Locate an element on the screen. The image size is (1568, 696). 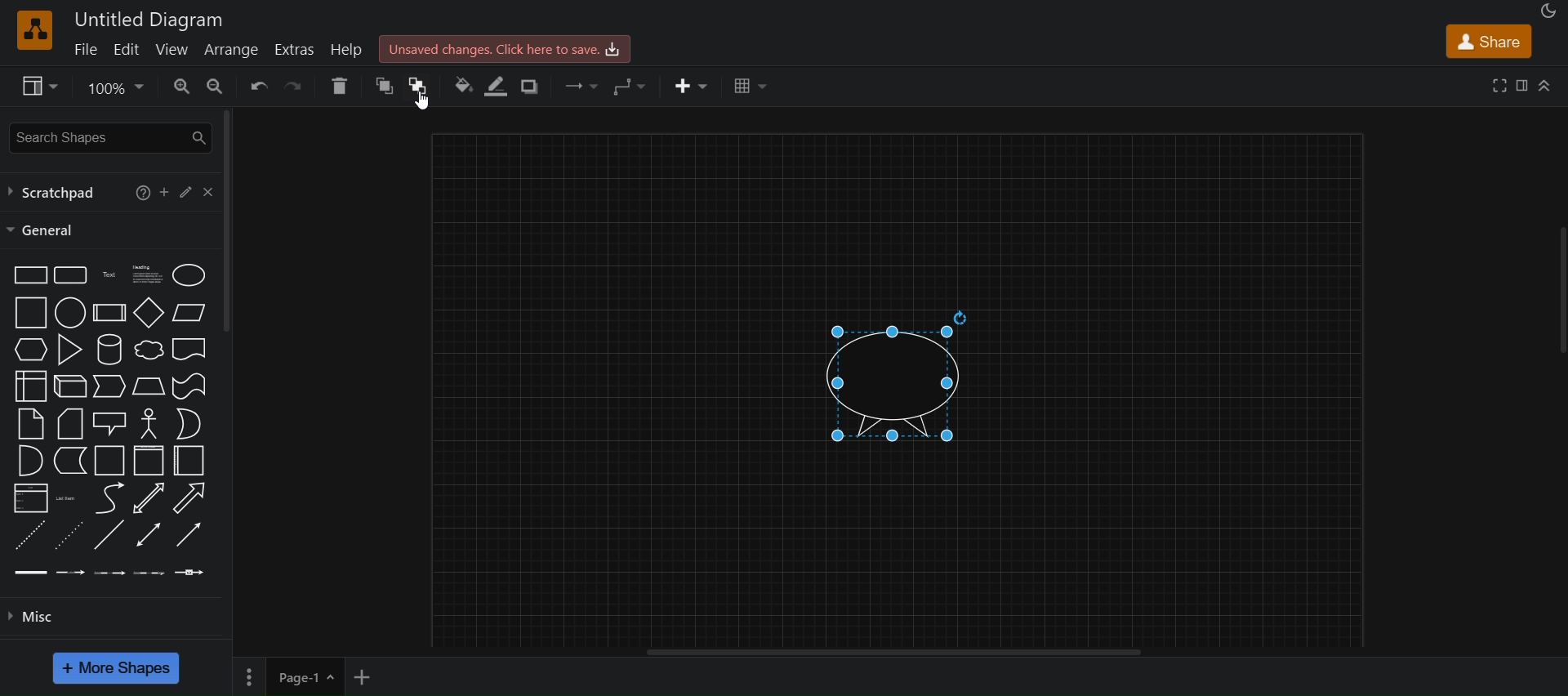
tape is located at coordinates (189, 386).